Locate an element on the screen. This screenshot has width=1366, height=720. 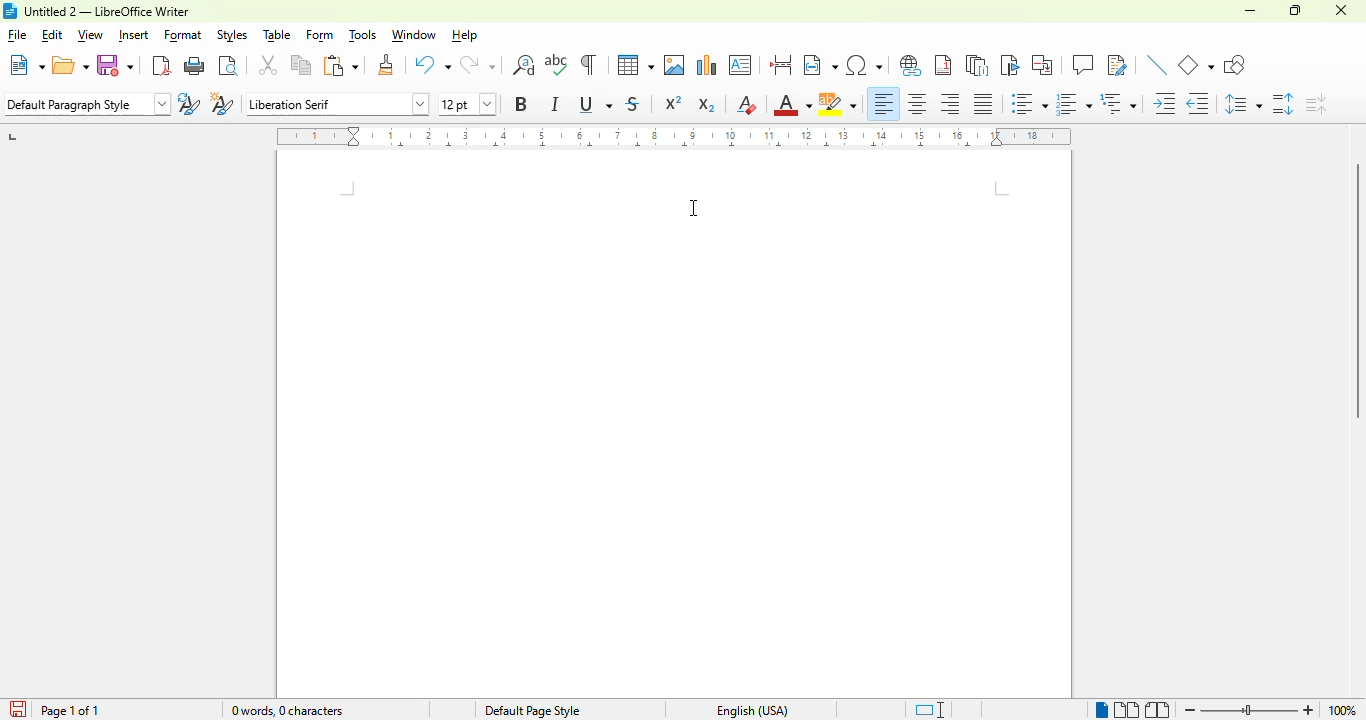
logo is located at coordinates (10, 11).